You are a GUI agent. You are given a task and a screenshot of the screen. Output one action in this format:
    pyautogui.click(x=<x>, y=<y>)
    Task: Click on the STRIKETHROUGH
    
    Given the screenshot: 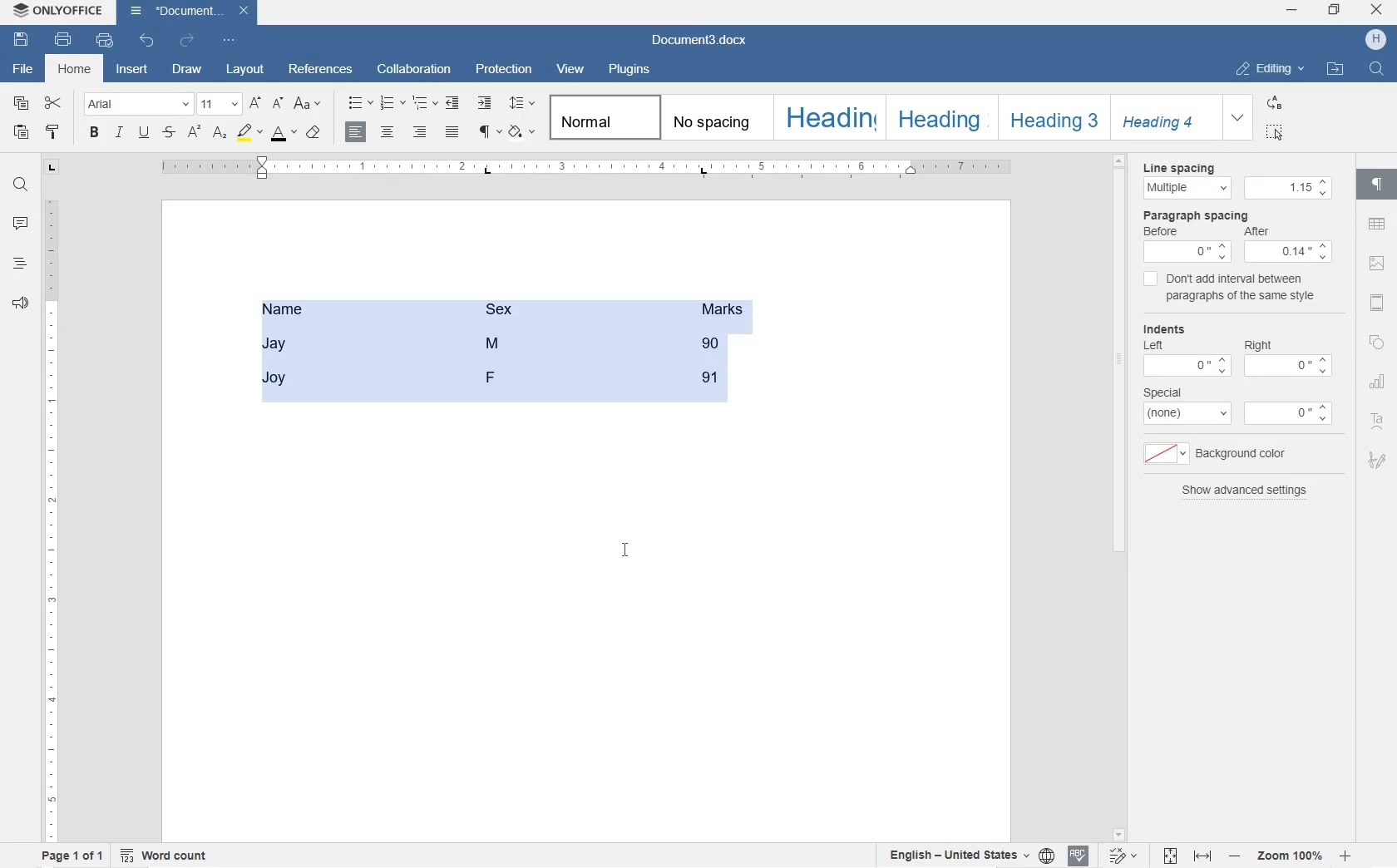 What is the action you would take?
    pyautogui.click(x=168, y=134)
    